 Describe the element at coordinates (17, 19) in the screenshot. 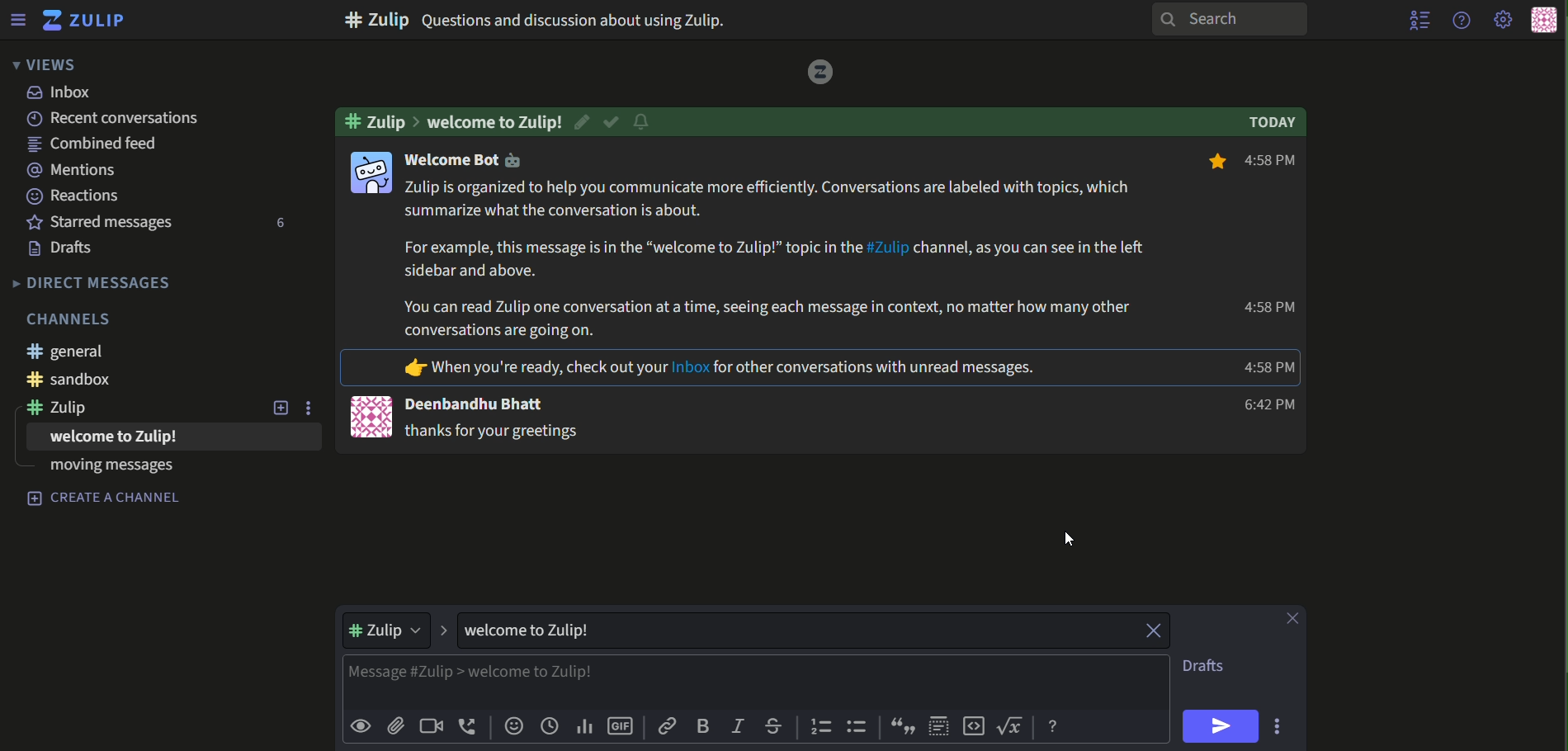

I see `Menu` at that location.